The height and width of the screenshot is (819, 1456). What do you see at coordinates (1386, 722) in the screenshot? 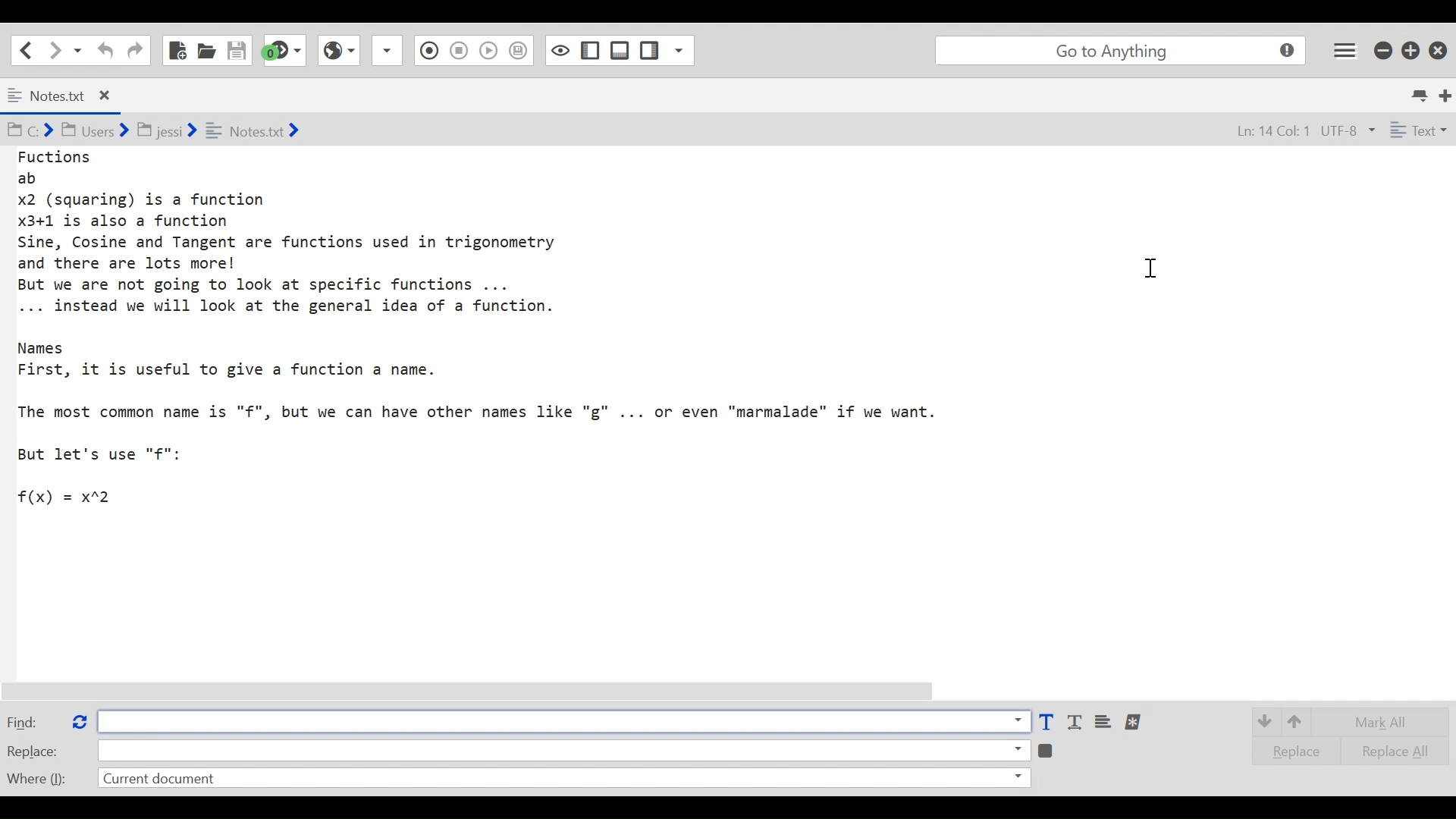
I see `Mark all` at bounding box center [1386, 722].